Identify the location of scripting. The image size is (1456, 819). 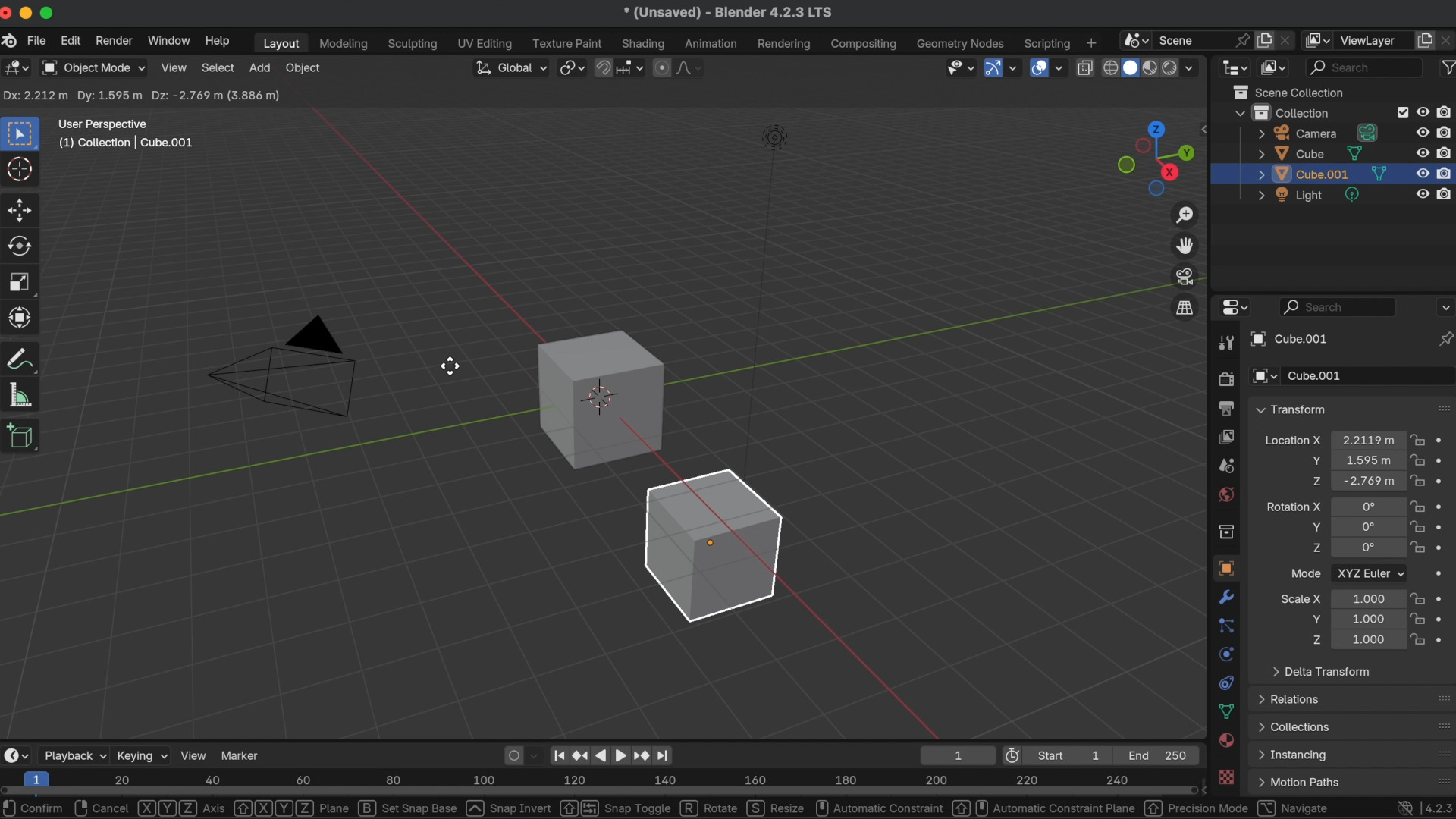
(1045, 43).